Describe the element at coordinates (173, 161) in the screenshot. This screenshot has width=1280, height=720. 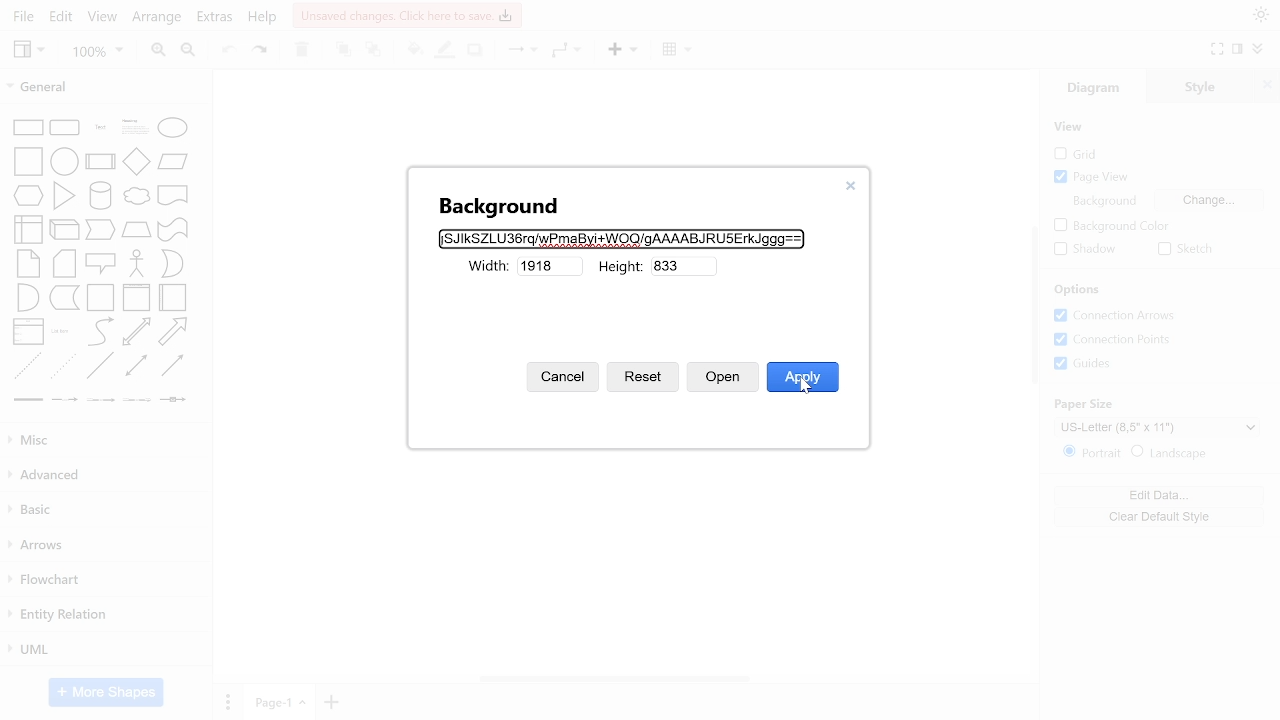
I see `general shapes` at that location.